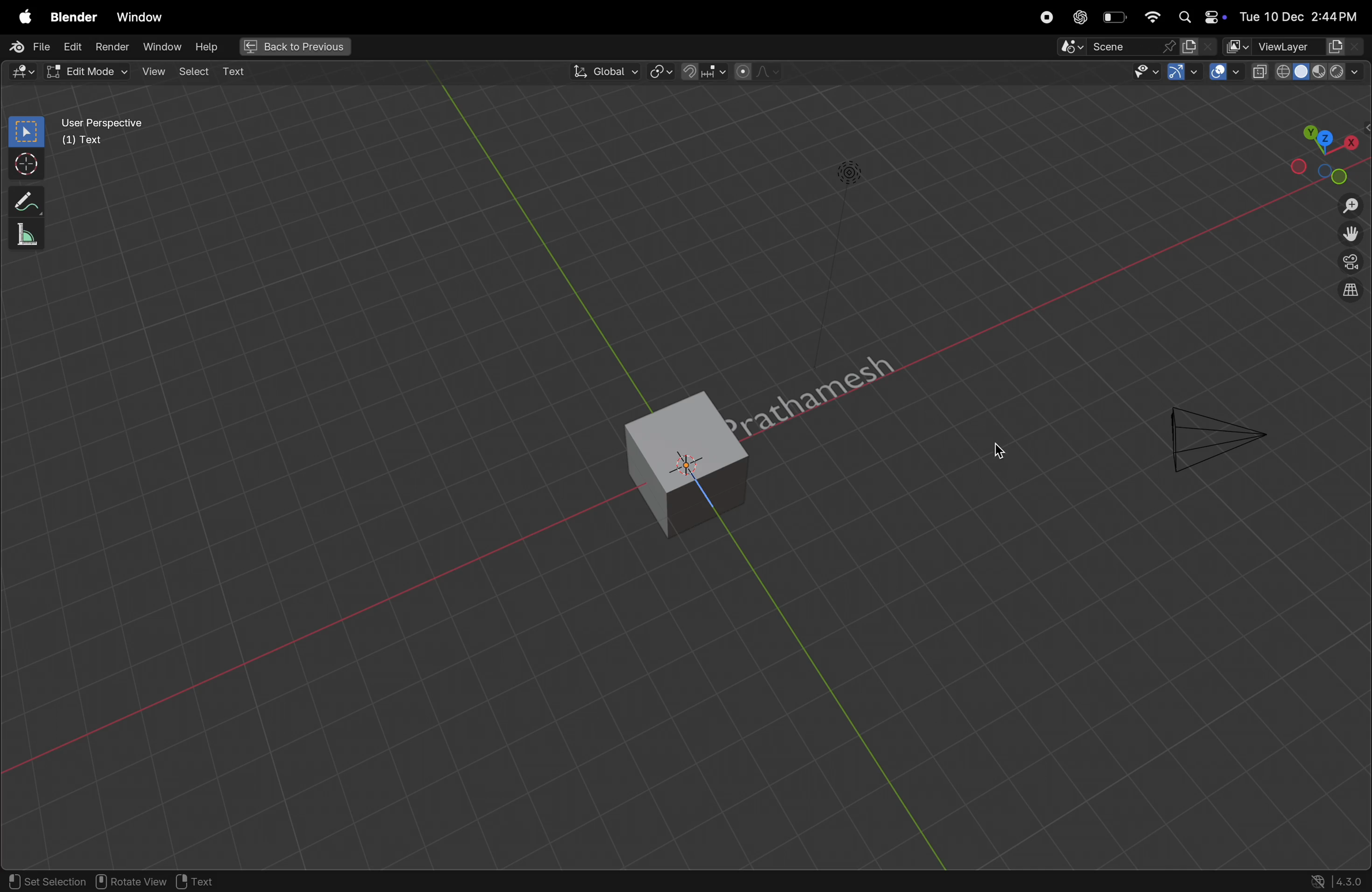 This screenshot has height=892, width=1372. Describe the element at coordinates (141, 14) in the screenshot. I see `Window` at that location.